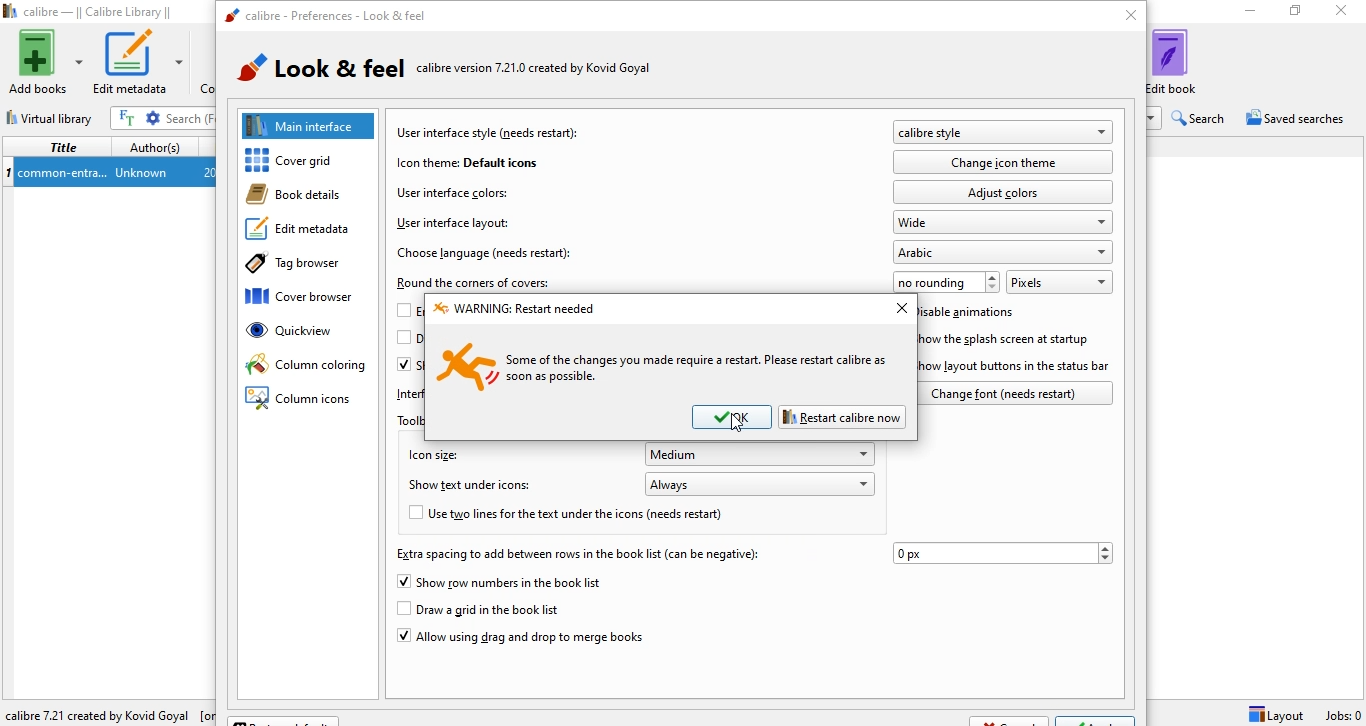 Image resolution: width=1366 pixels, height=726 pixels. What do you see at coordinates (664, 366) in the screenshot?
I see `some of the chnages you made require a restart. Please restart calibre as soon as possible.` at bounding box center [664, 366].